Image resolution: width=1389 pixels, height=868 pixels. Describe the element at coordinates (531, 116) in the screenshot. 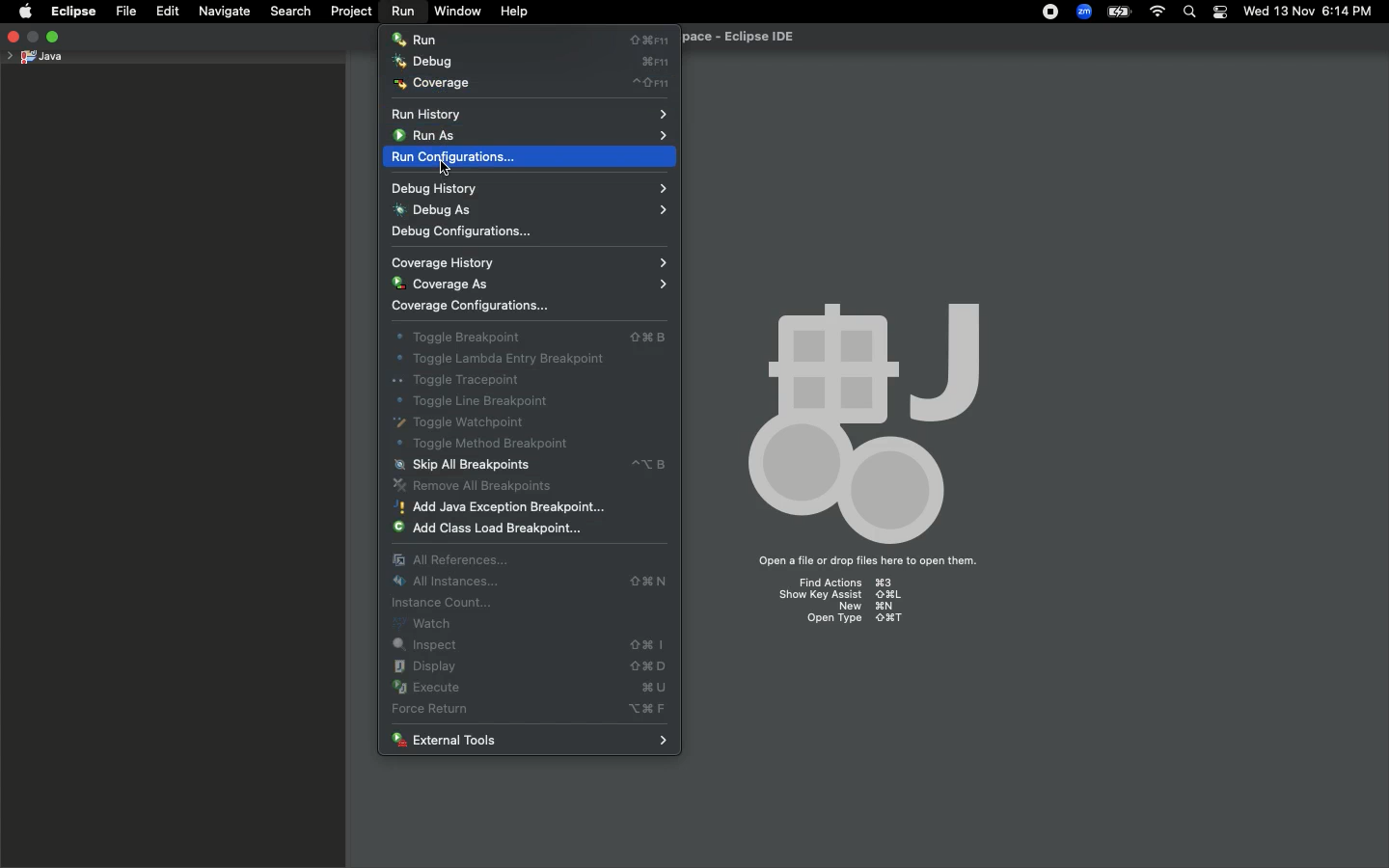

I see `Run history` at that location.